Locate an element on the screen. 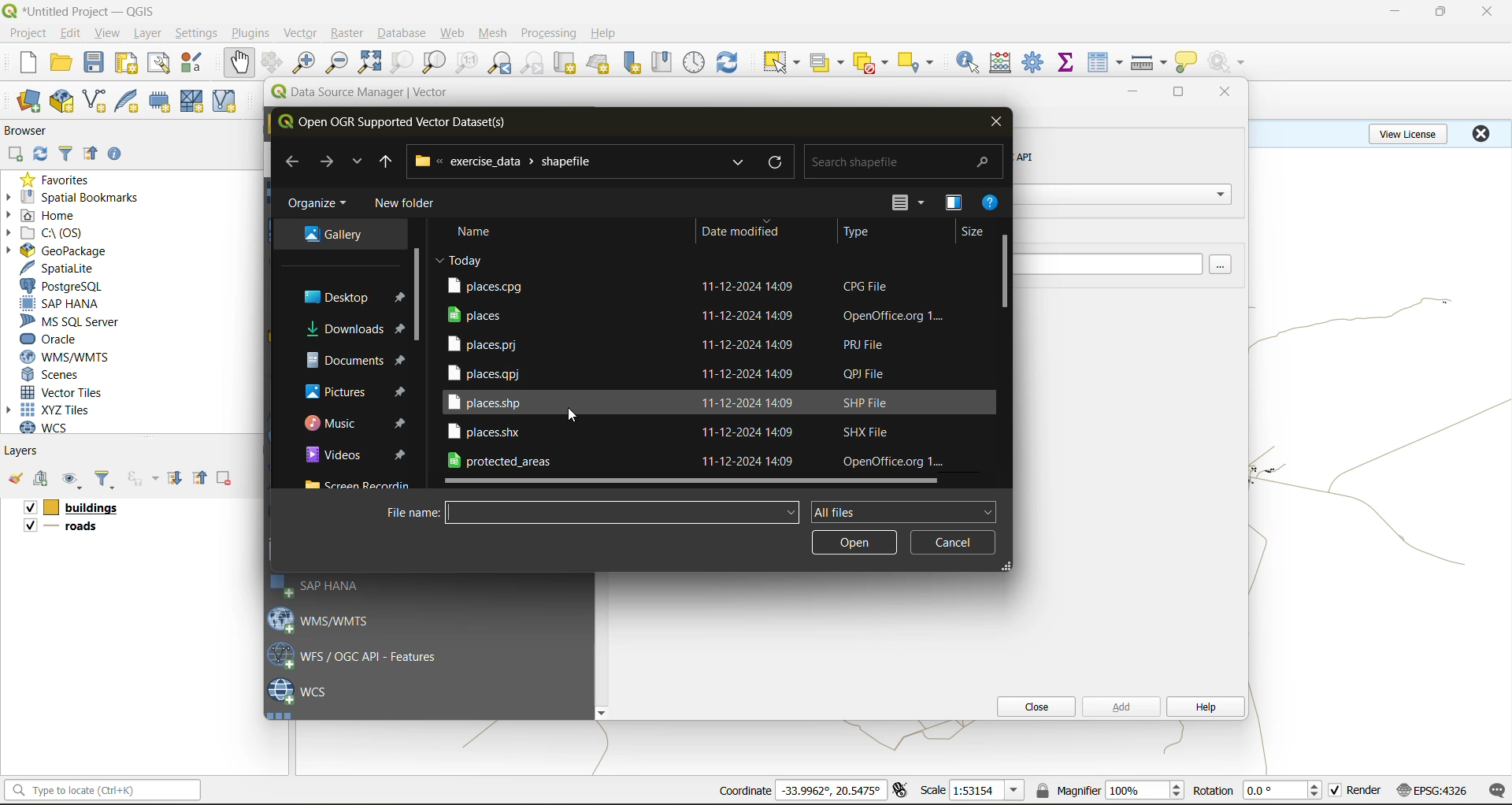 Image resolution: width=1512 pixels, height=805 pixels. select is located at coordinates (779, 63).